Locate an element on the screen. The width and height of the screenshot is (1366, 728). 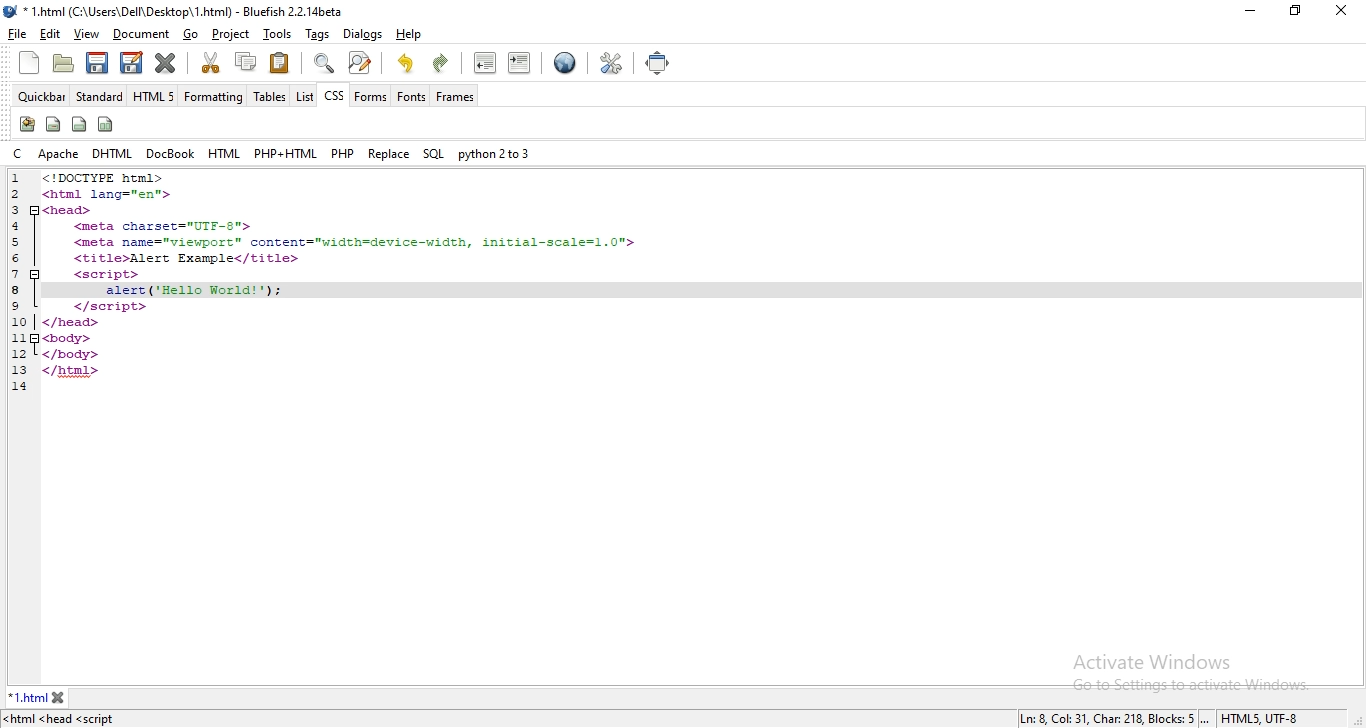
1.html is located at coordinates (27, 697).